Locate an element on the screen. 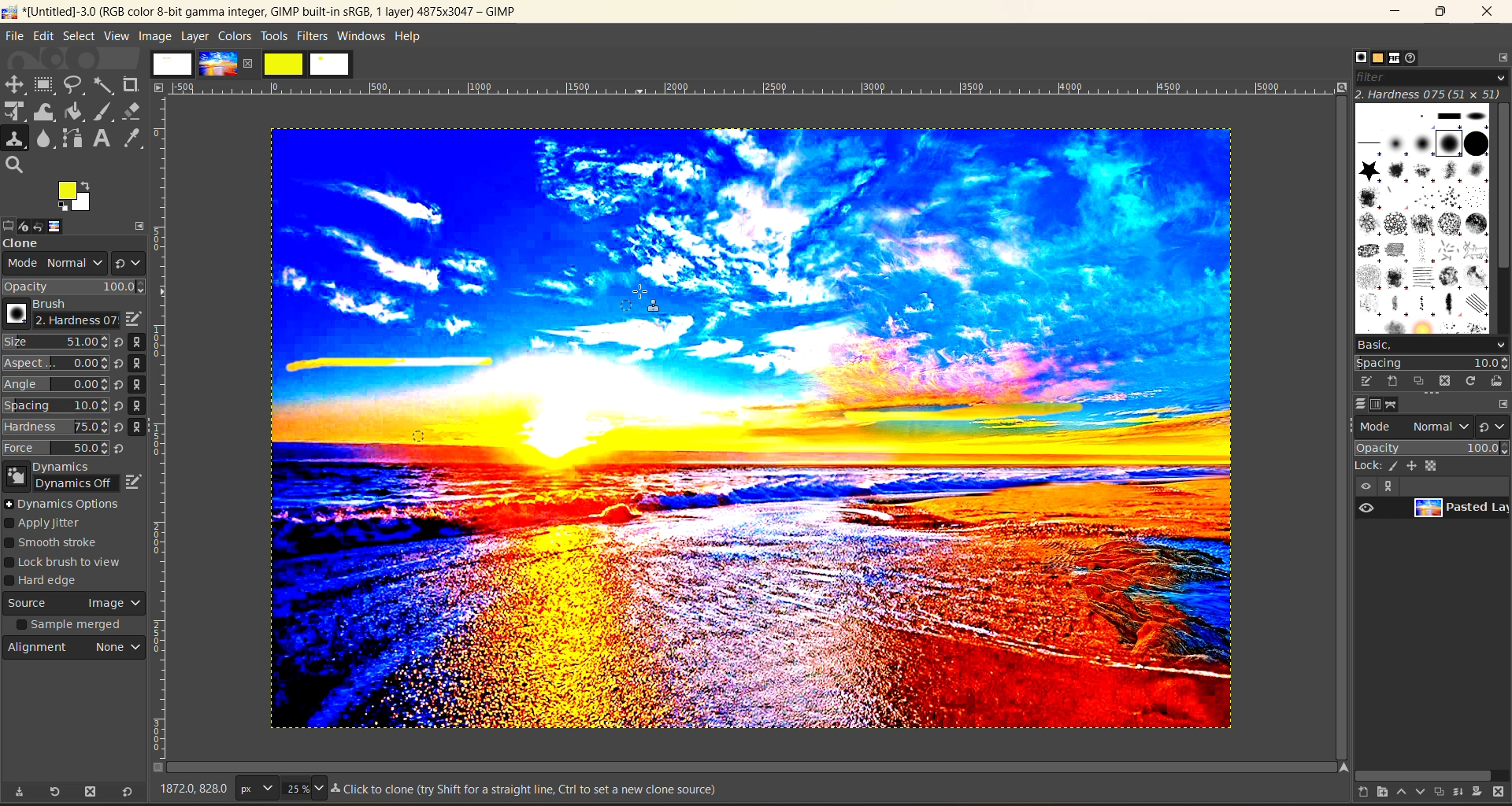 This screenshot has width=1512, height=806. image is located at coordinates (69, 226).